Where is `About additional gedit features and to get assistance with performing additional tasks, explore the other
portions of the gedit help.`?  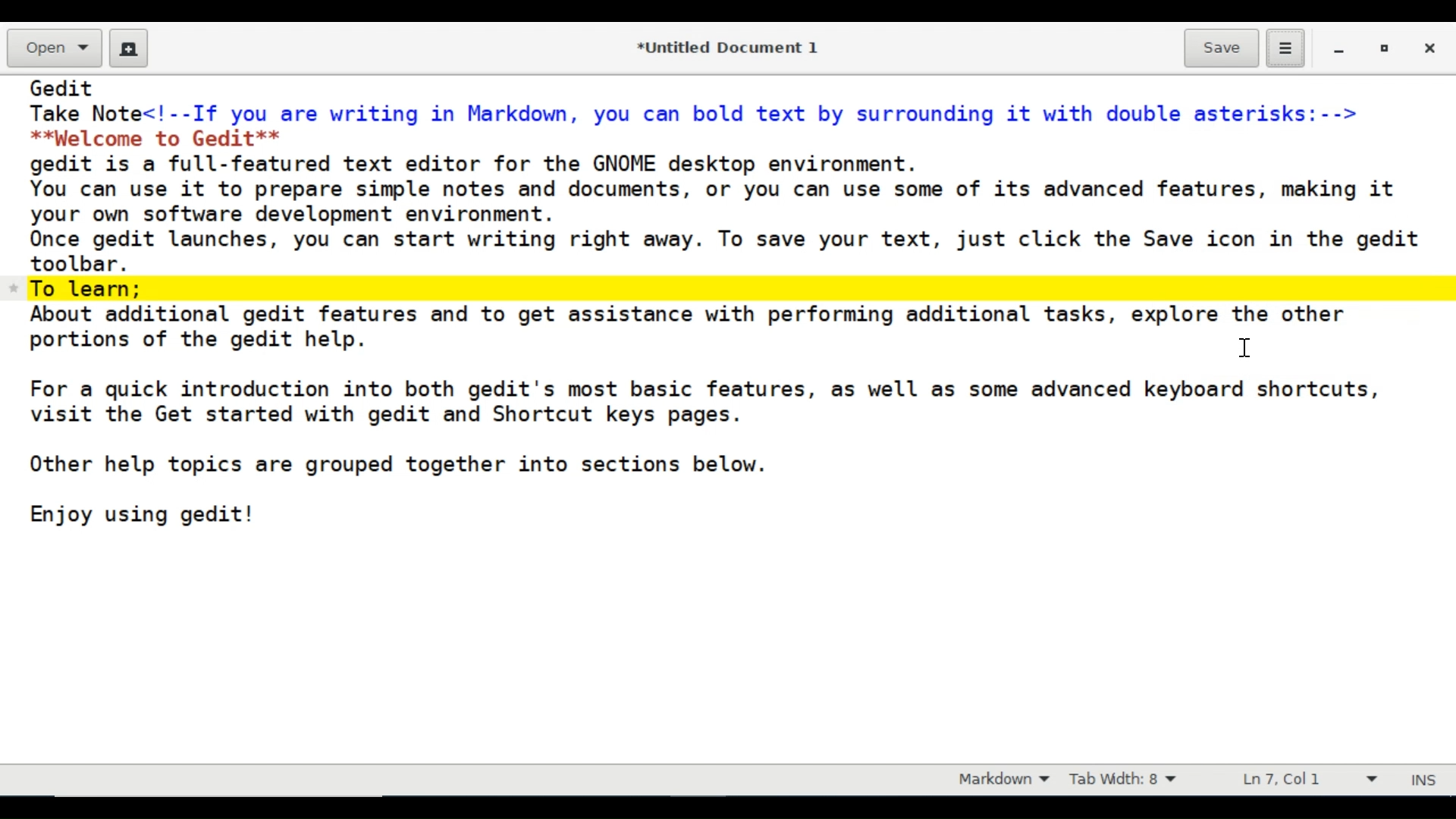
About additional gedit features and to get assistance with performing additional tasks, explore the other
portions of the gedit help. is located at coordinates (691, 328).